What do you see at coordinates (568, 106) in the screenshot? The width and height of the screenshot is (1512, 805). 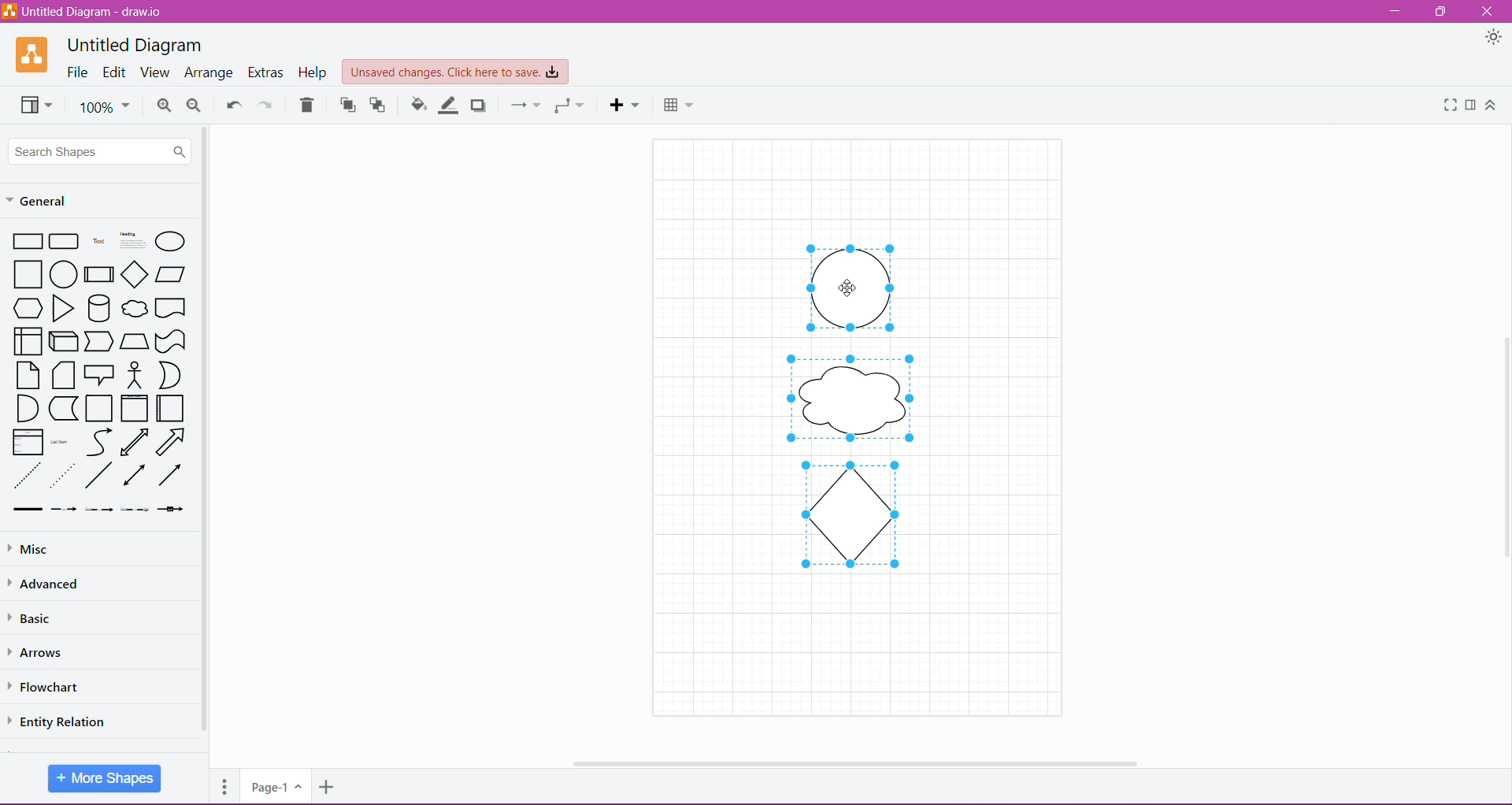 I see `Waypoints` at bounding box center [568, 106].